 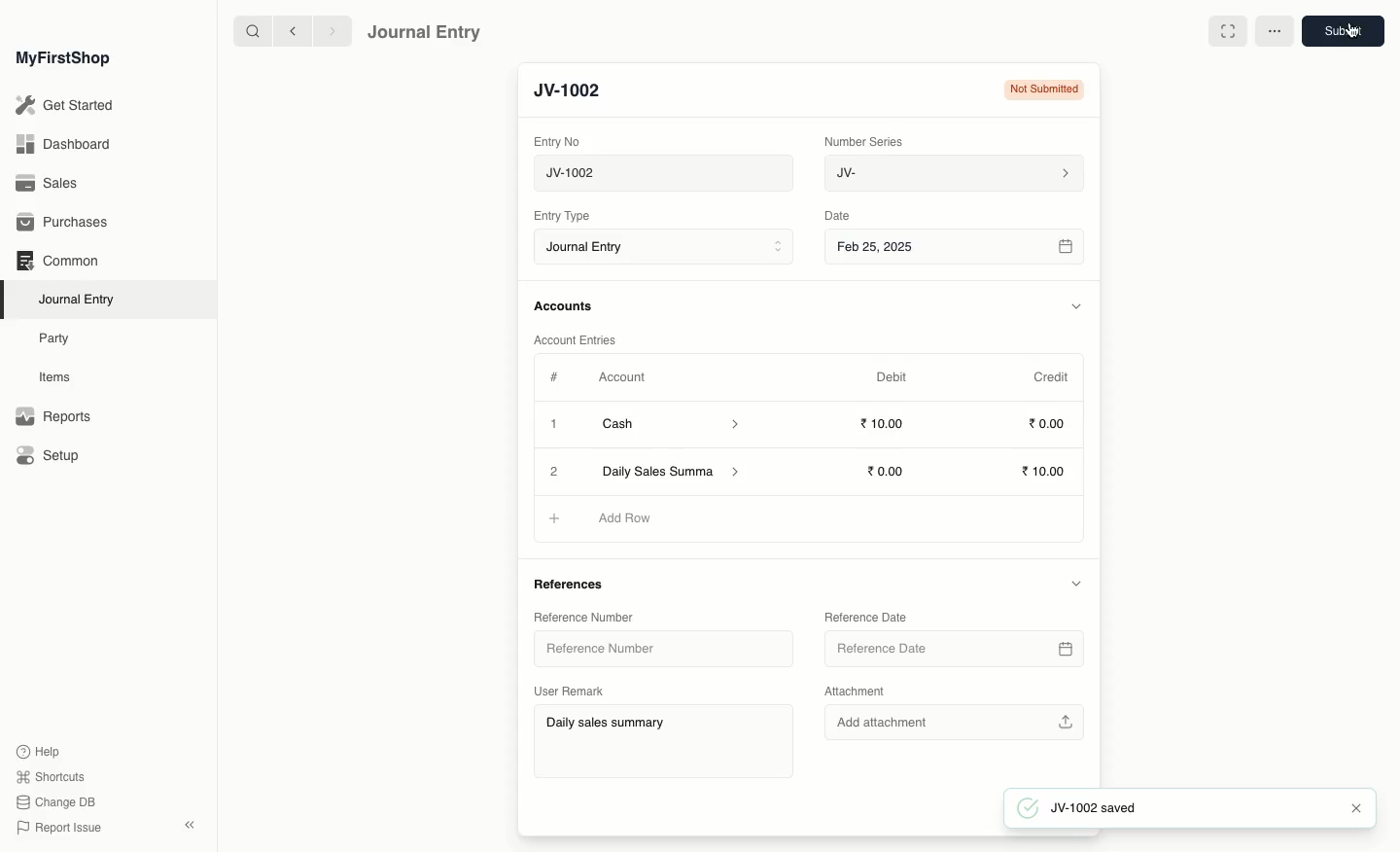 I want to click on ‘Number Series, so click(x=864, y=140).